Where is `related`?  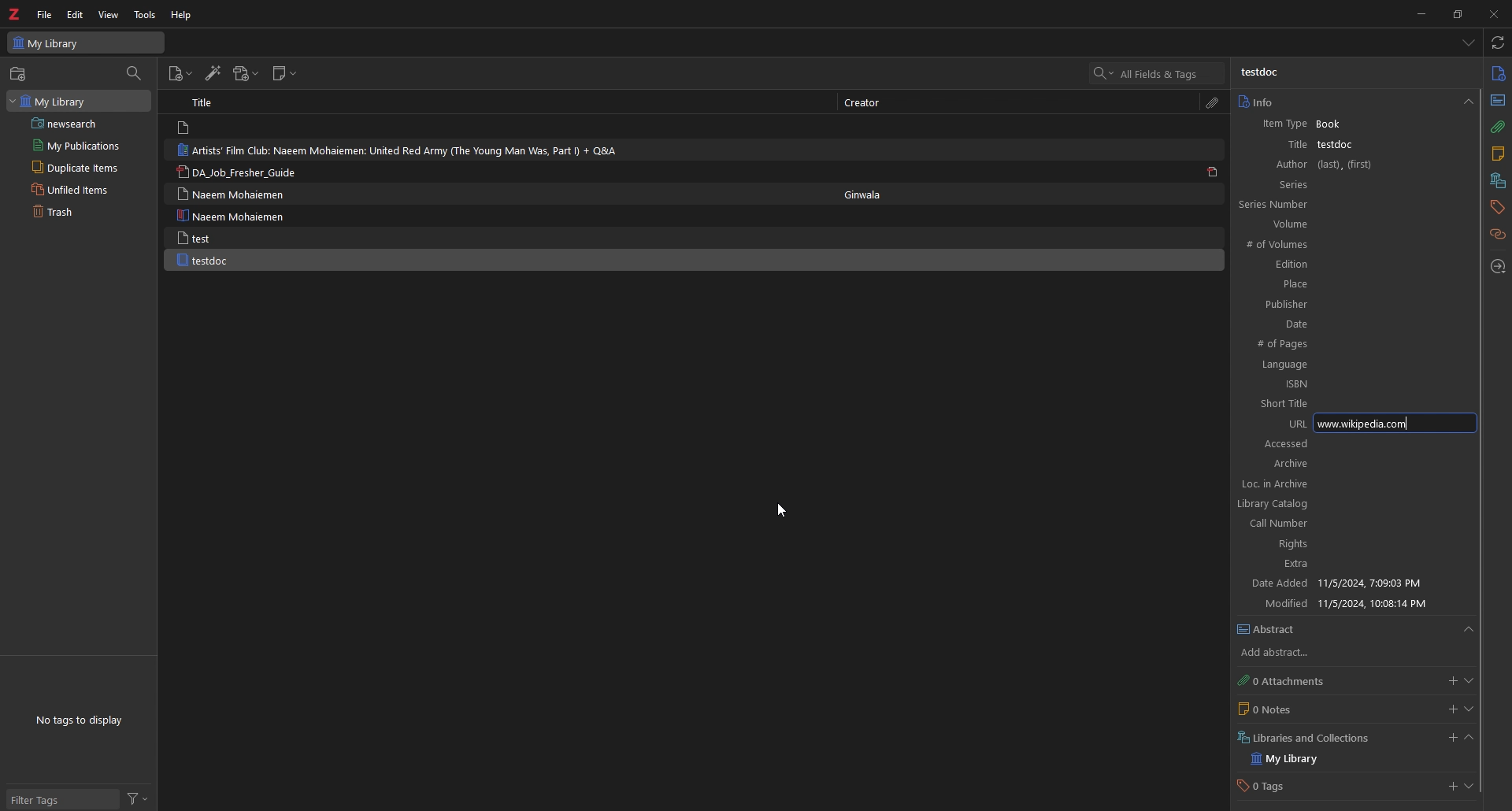 related is located at coordinates (1497, 235).